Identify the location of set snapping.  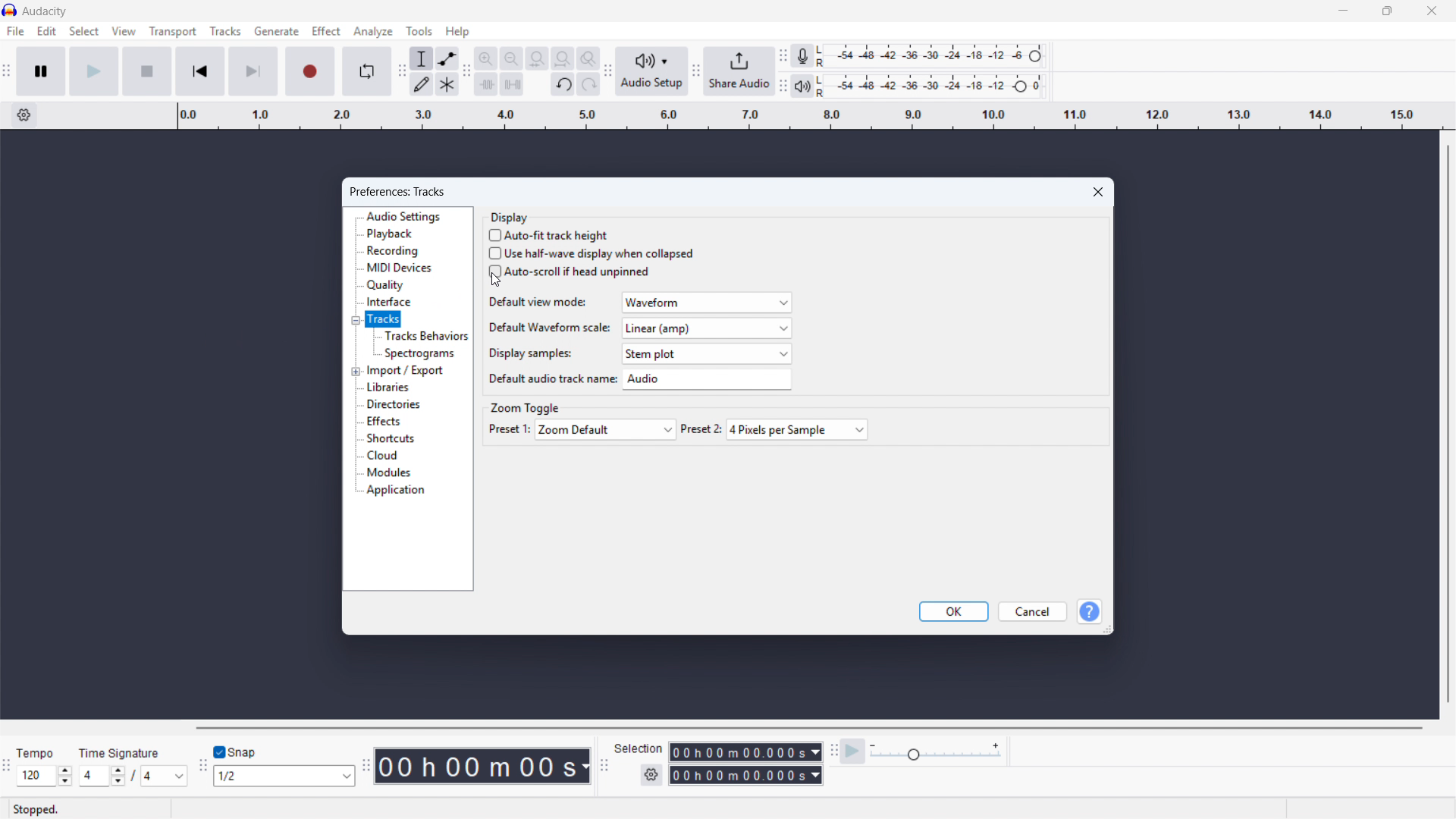
(283, 776).